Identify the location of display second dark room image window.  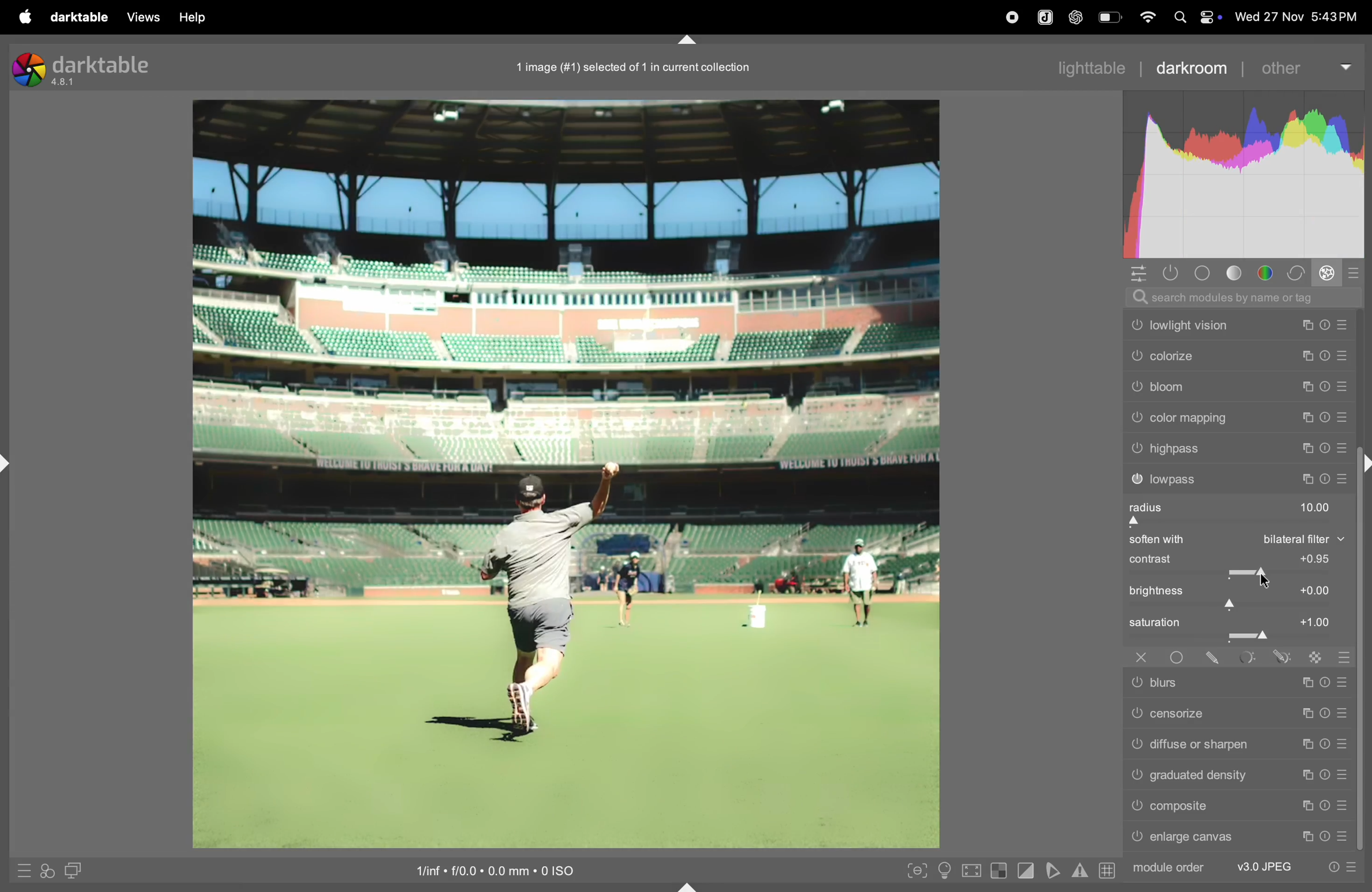
(79, 871).